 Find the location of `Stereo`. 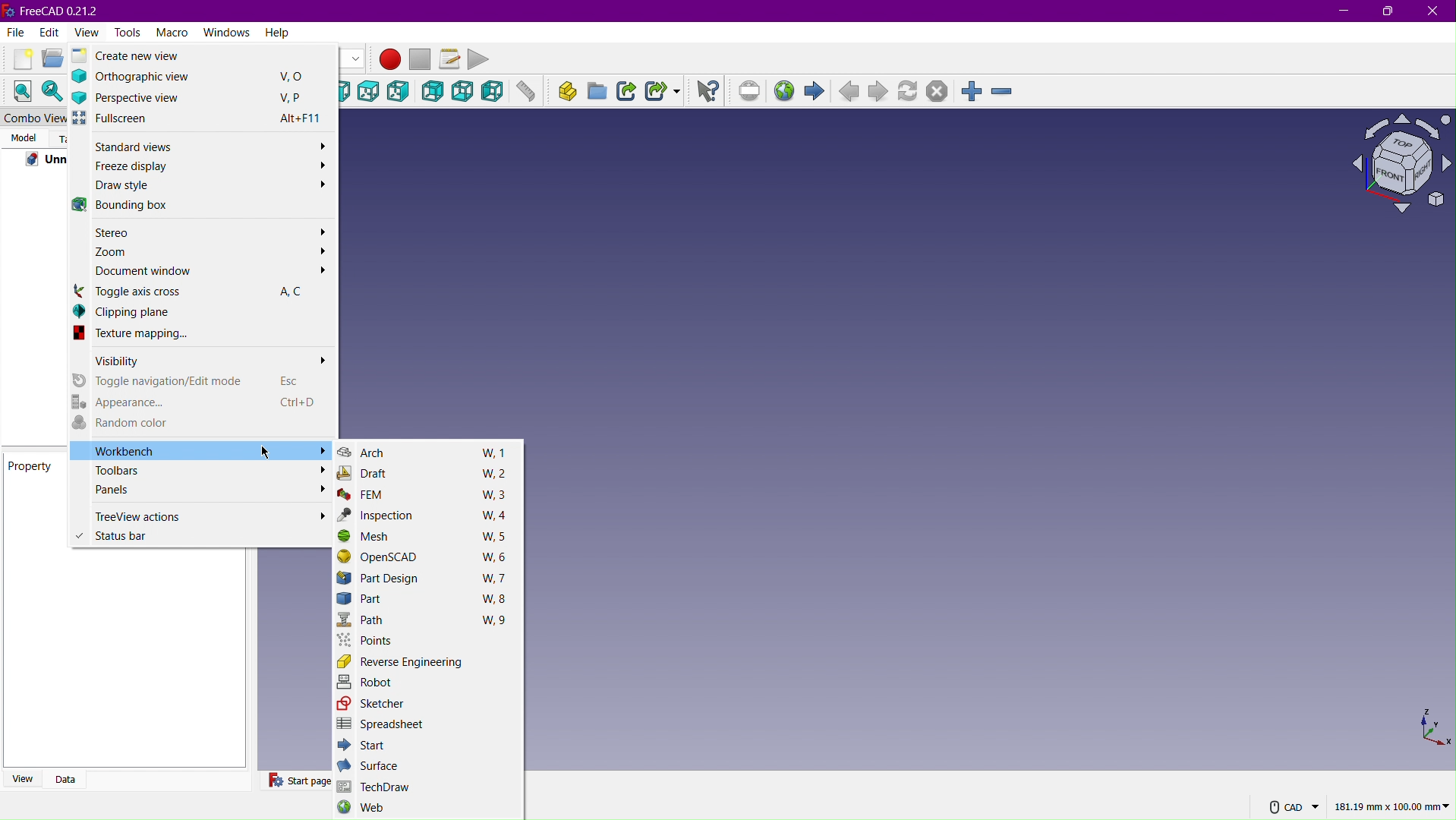

Stereo is located at coordinates (200, 234).